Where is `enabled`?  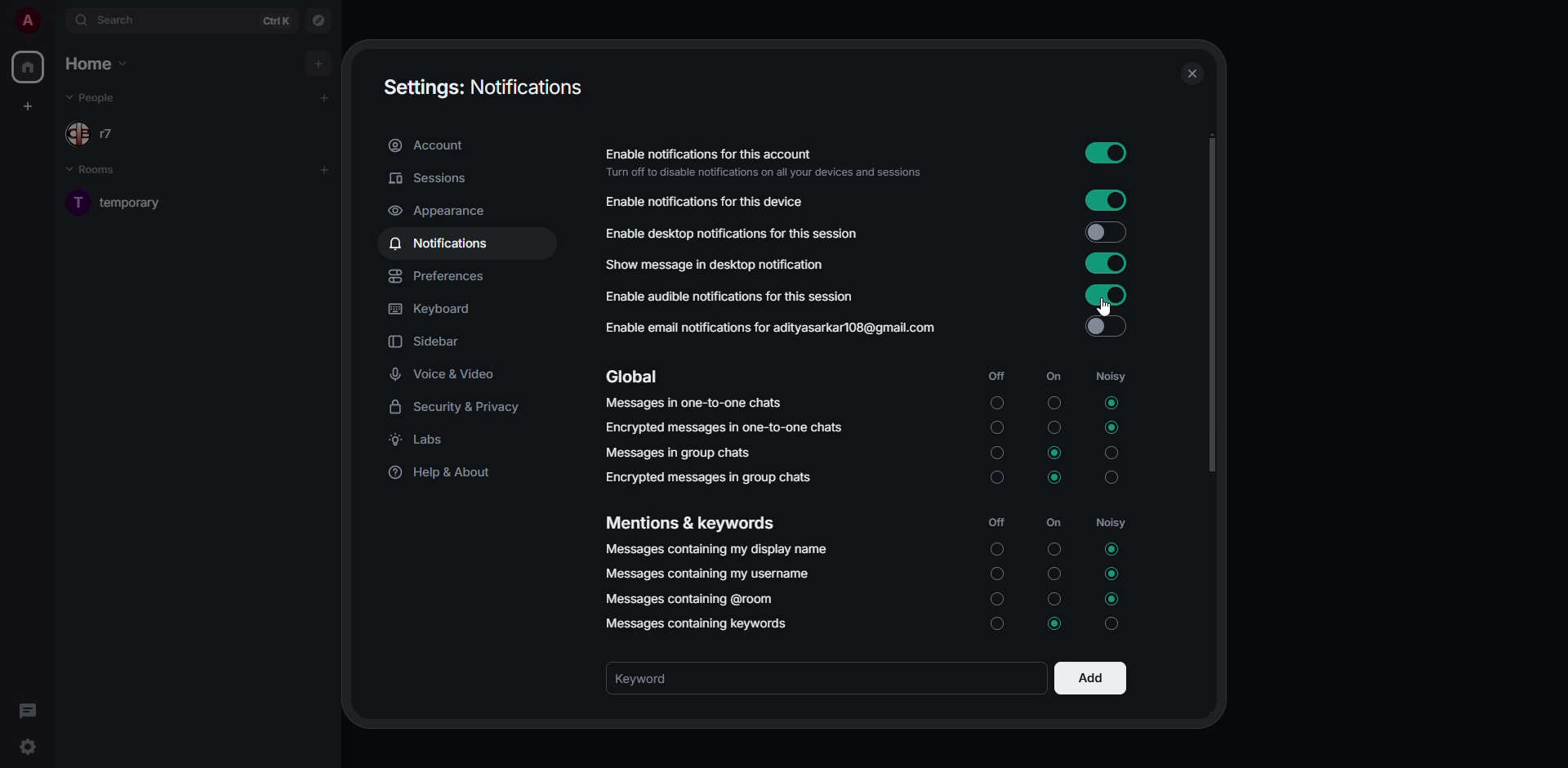
enabled is located at coordinates (1106, 263).